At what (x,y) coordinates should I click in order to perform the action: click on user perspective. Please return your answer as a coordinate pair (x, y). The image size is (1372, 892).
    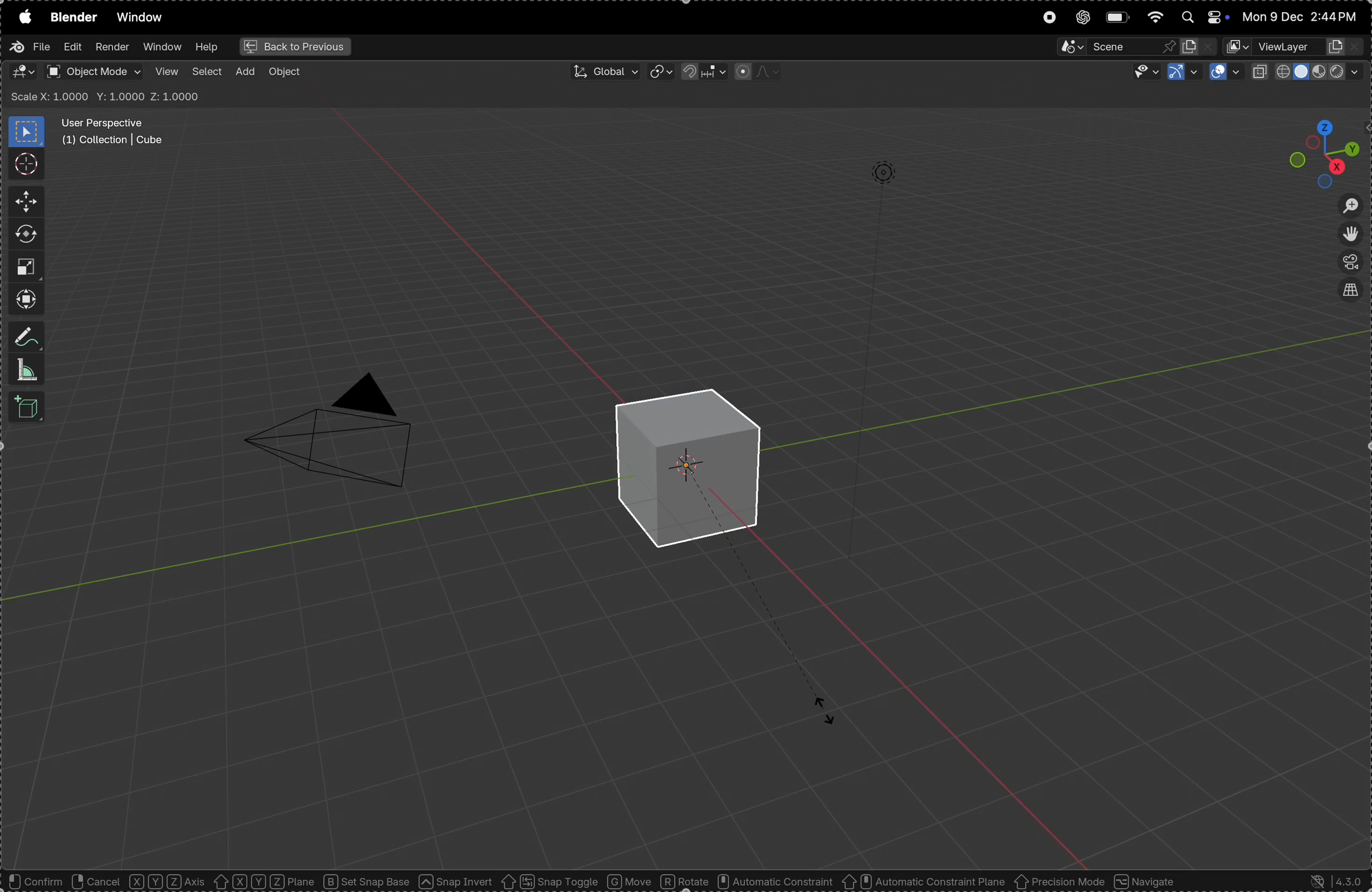
    Looking at the image, I should click on (118, 133).